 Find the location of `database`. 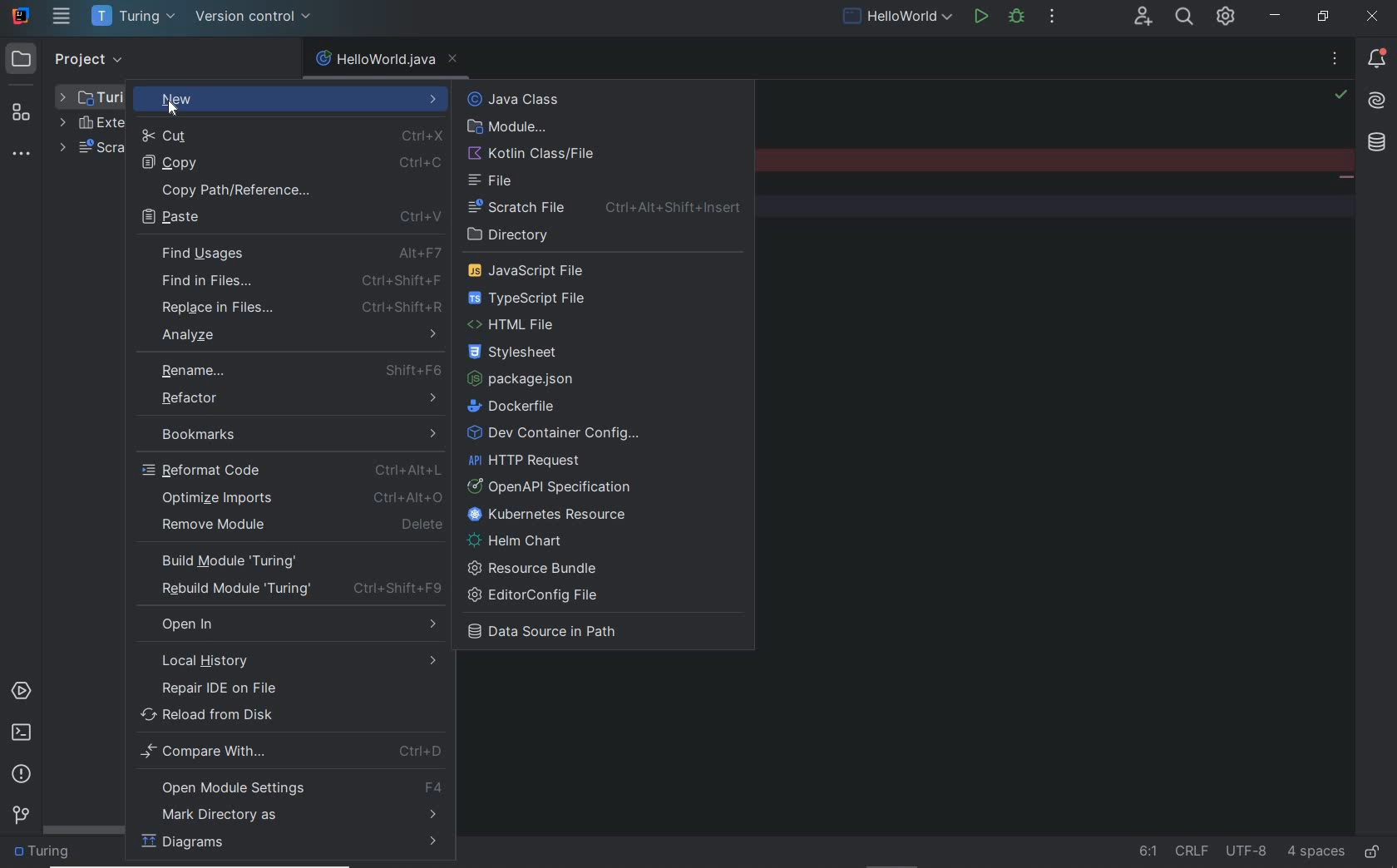

database is located at coordinates (1380, 144).